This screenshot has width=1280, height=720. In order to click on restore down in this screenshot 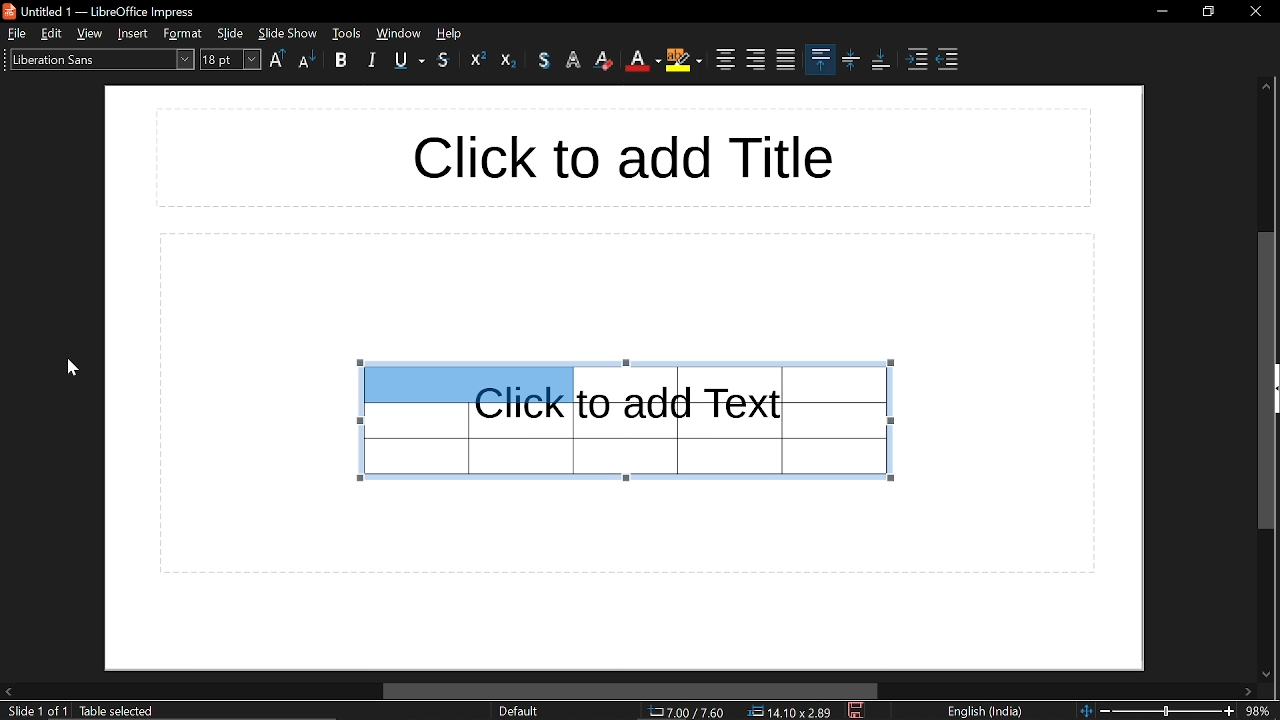, I will do `click(1209, 11)`.